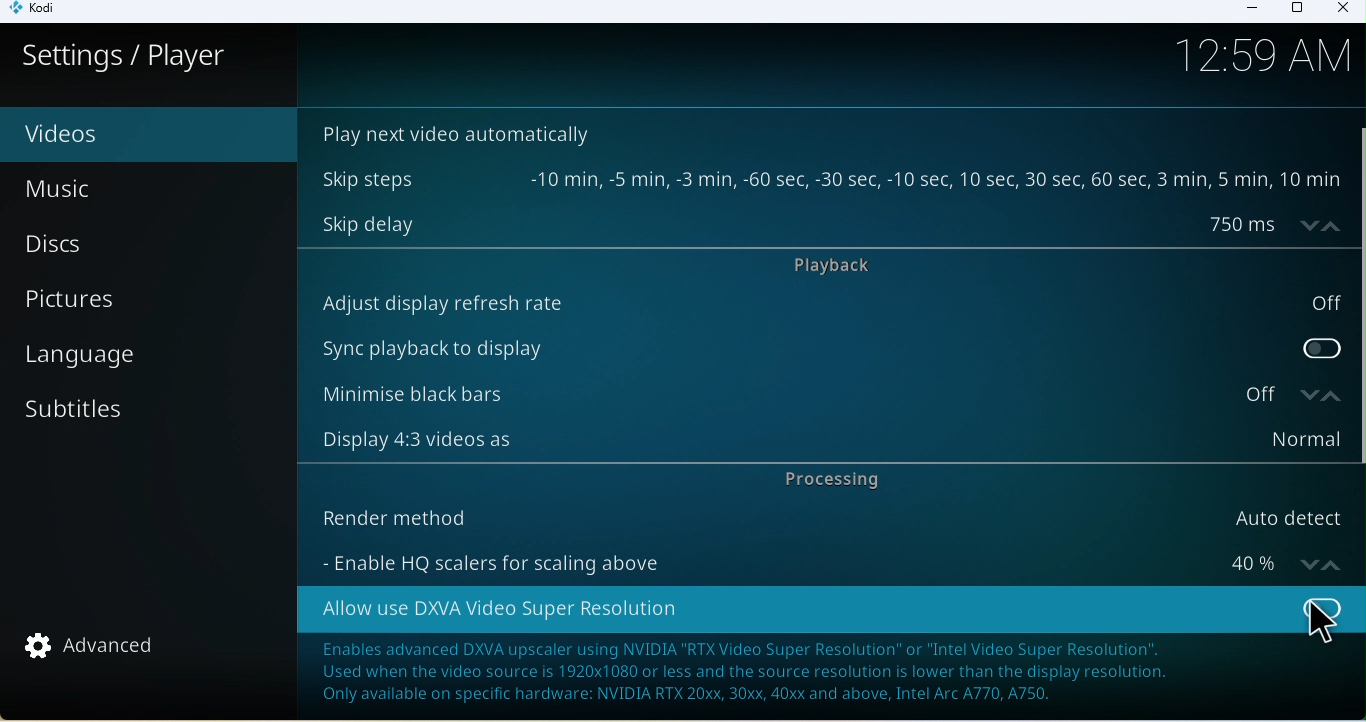 Image resolution: width=1366 pixels, height=722 pixels. Describe the element at coordinates (828, 179) in the screenshot. I see `Skip steps` at that location.